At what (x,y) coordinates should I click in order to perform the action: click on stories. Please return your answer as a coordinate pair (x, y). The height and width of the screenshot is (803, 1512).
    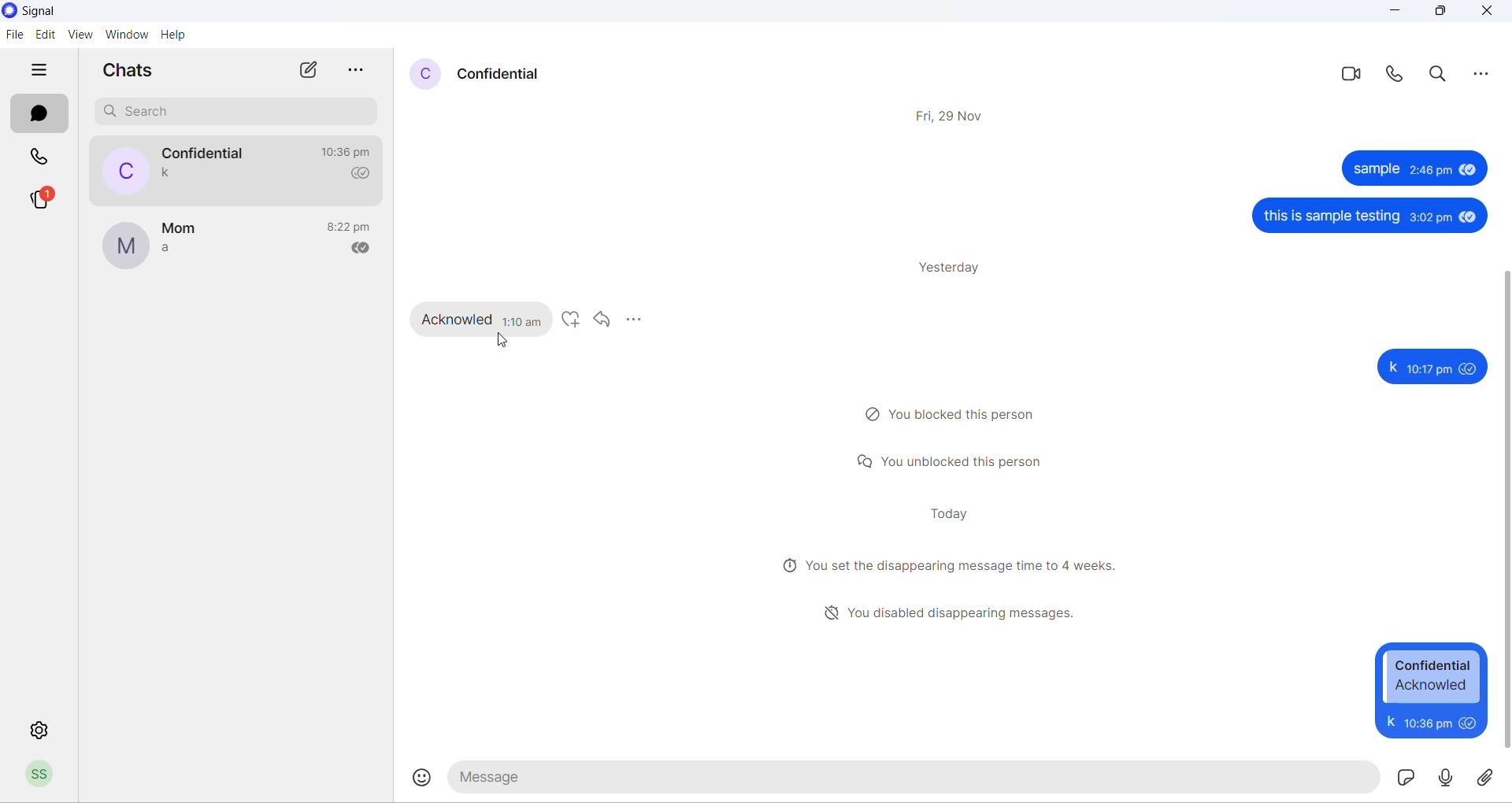
    Looking at the image, I should click on (40, 198).